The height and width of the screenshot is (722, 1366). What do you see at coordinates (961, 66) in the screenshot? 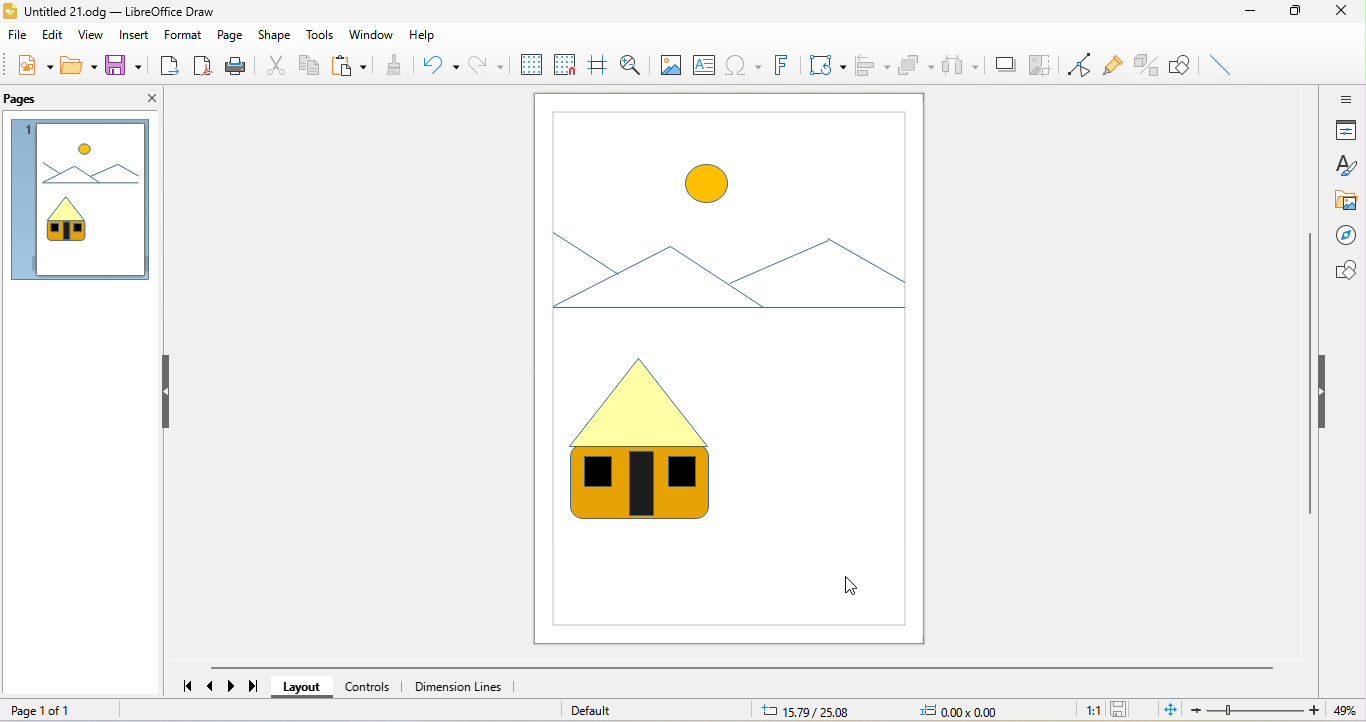
I see `select atleast three objects to distribute` at bounding box center [961, 66].